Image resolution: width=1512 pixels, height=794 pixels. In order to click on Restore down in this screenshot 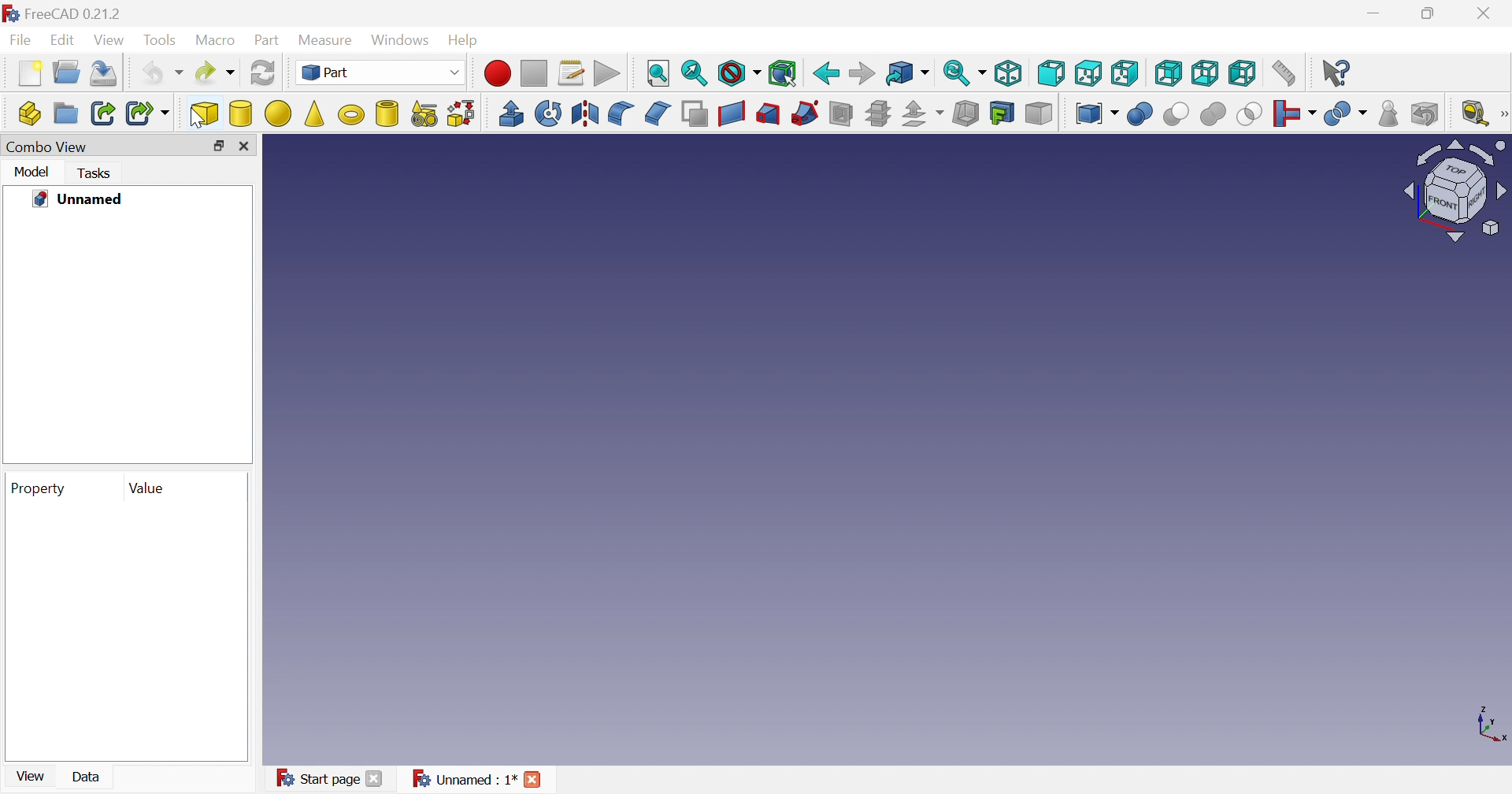, I will do `click(218, 146)`.